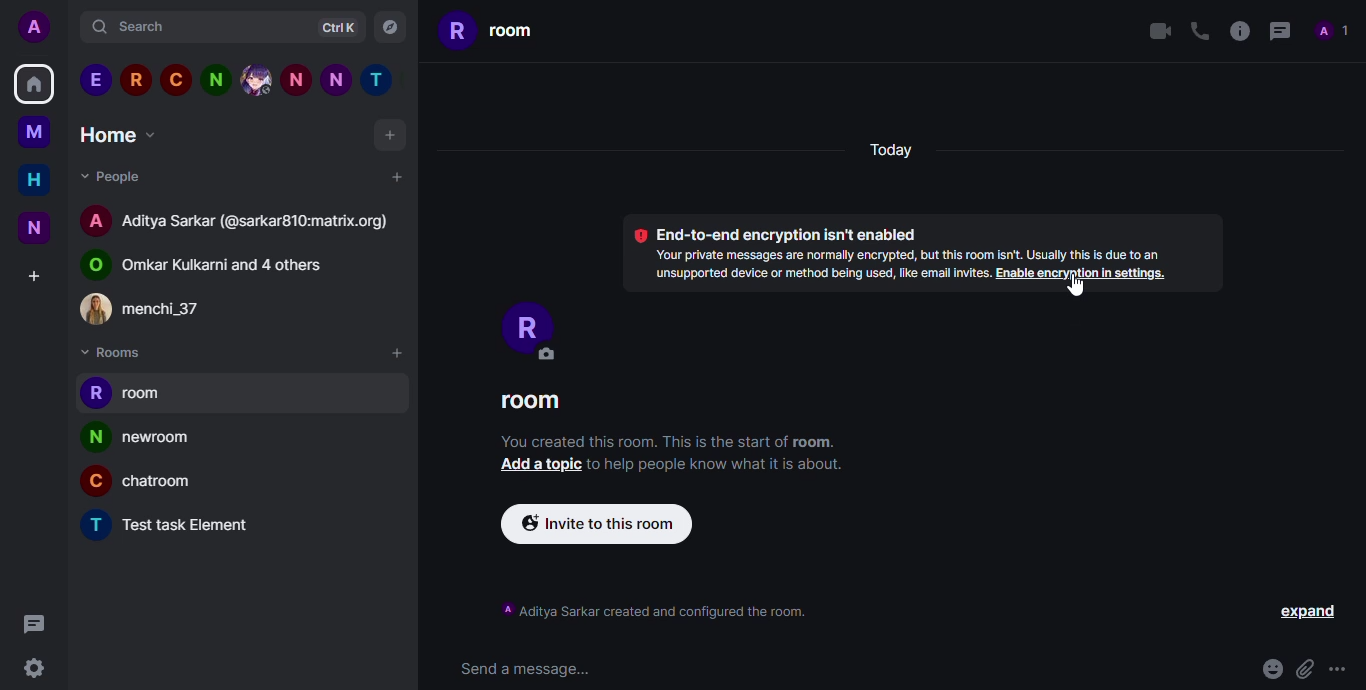 The image size is (1366, 690). What do you see at coordinates (35, 276) in the screenshot?
I see `create a space` at bounding box center [35, 276].